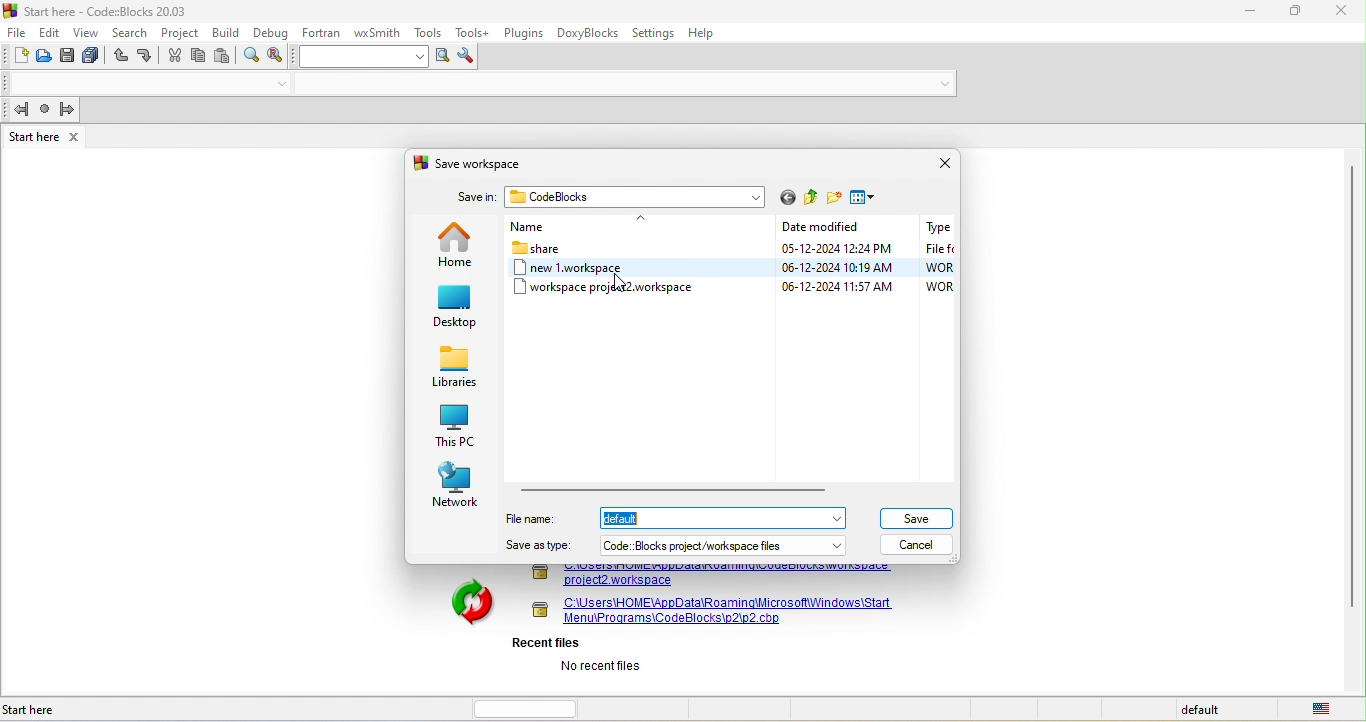 Image resolution: width=1366 pixels, height=722 pixels. What do you see at coordinates (1343, 14) in the screenshot?
I see `close` at bounding box center [1343, 14].